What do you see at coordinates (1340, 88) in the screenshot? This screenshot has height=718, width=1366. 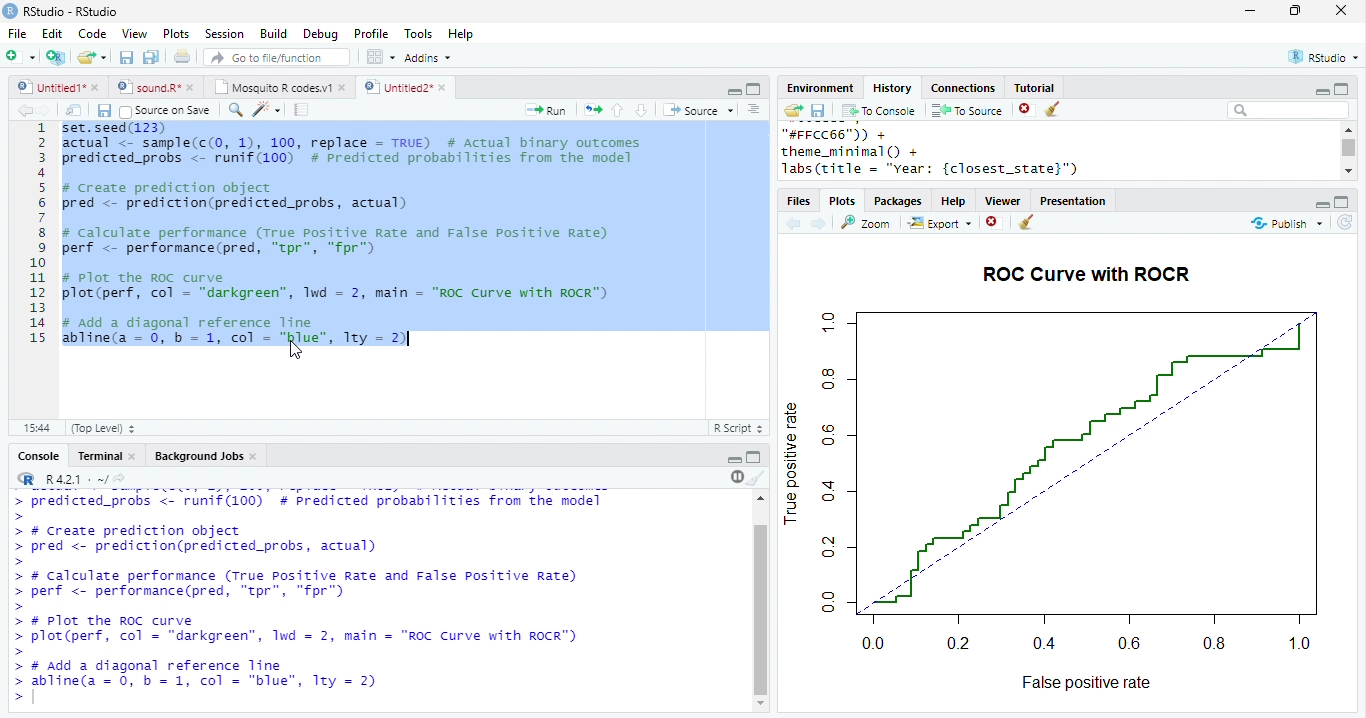 I see `maximize` at bounding box center [1340, 88].